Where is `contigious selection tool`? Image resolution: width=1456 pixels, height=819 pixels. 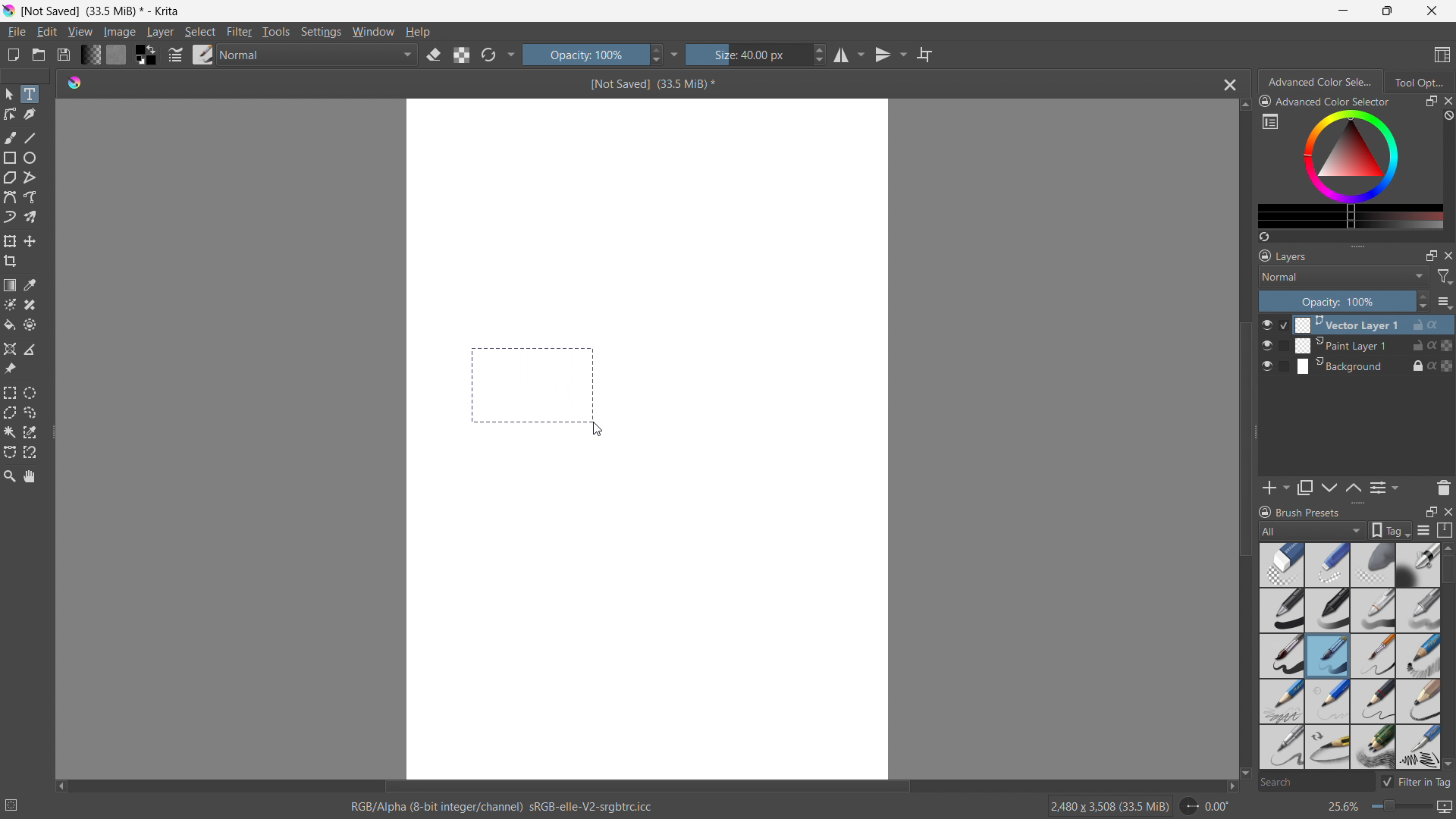 contigious selection tool is located at coordinates (10, 432).